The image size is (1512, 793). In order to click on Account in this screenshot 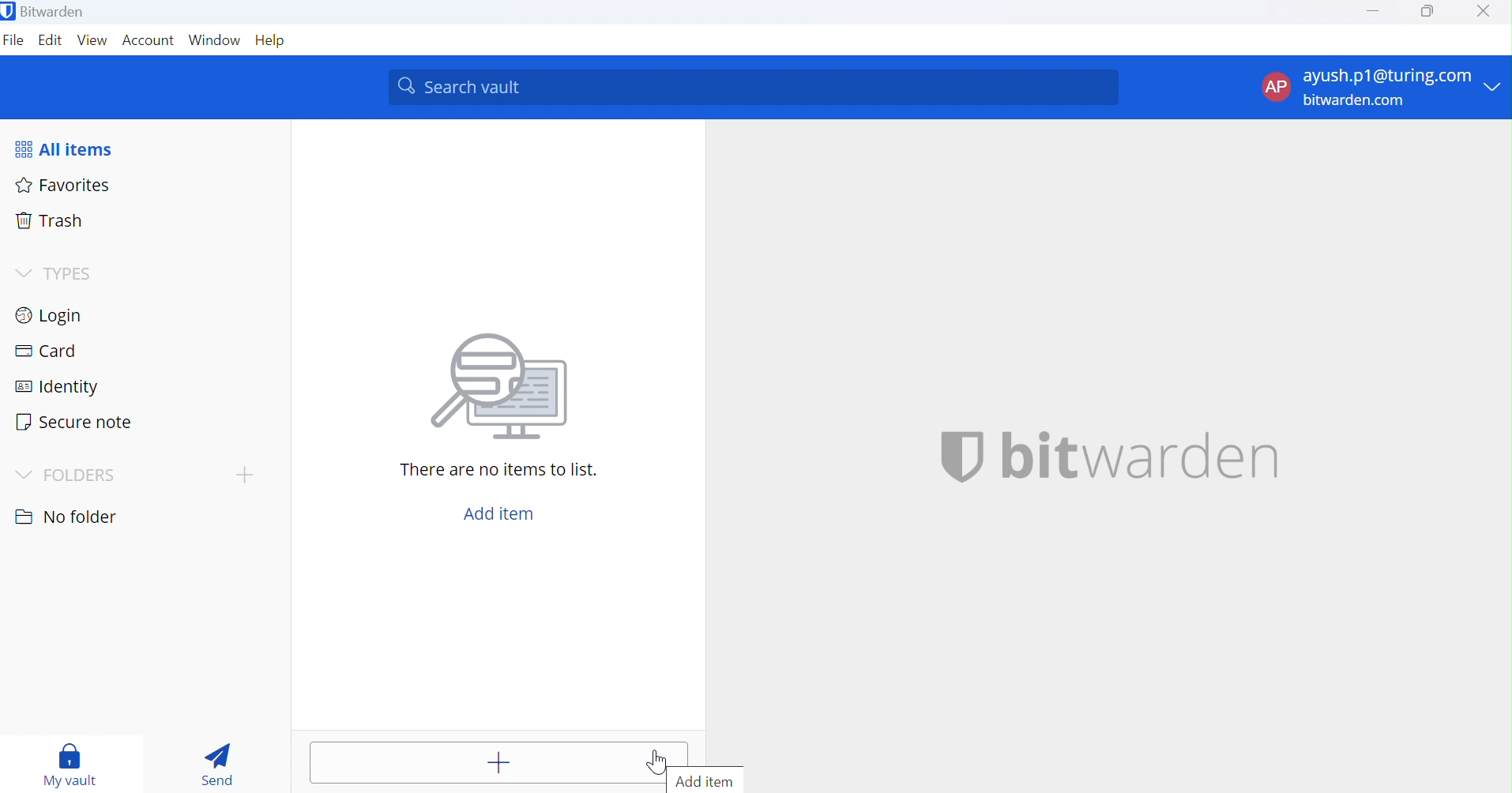, I will do `click(149, 41)`.